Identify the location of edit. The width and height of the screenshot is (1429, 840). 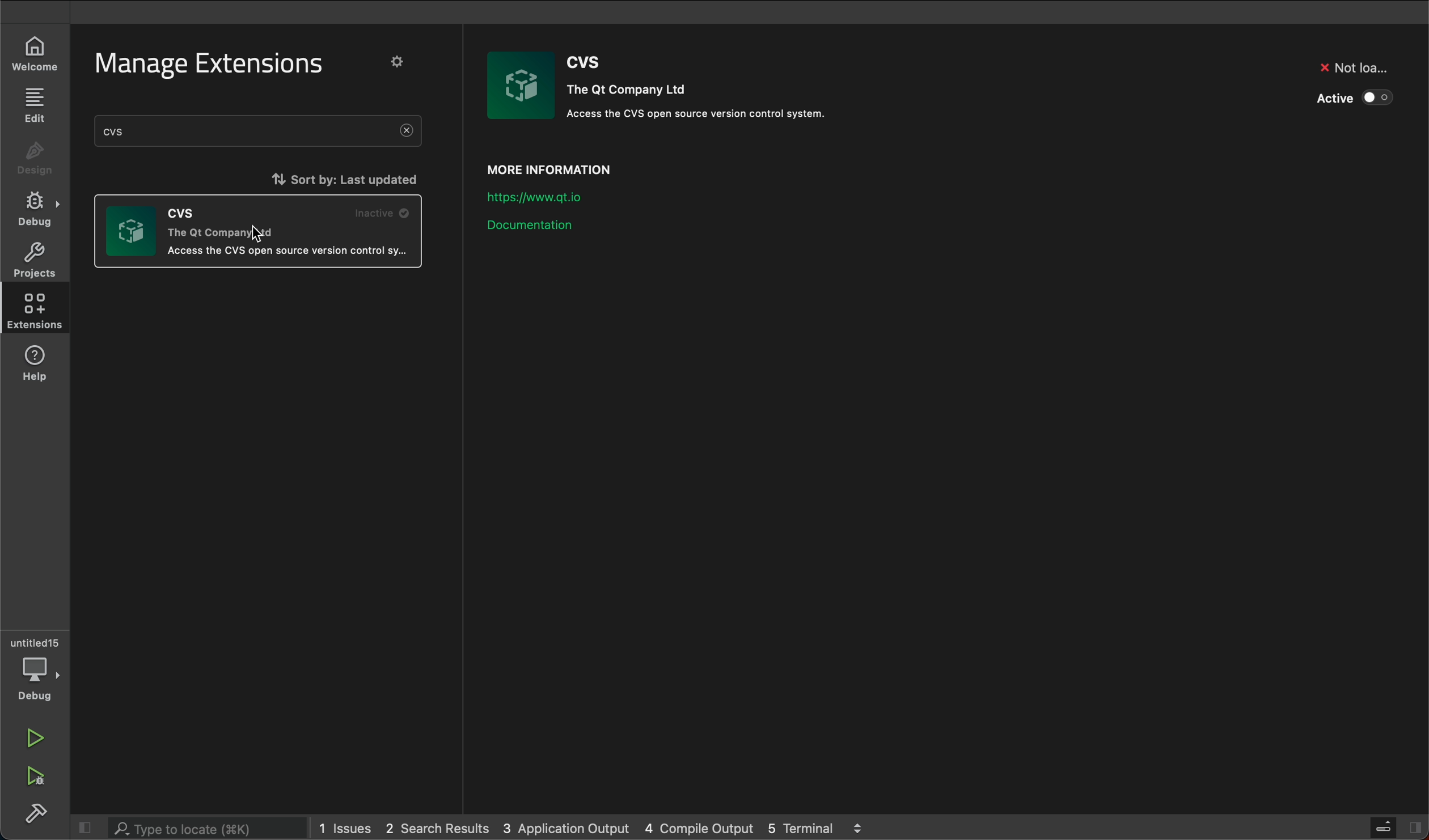
(33, 104).